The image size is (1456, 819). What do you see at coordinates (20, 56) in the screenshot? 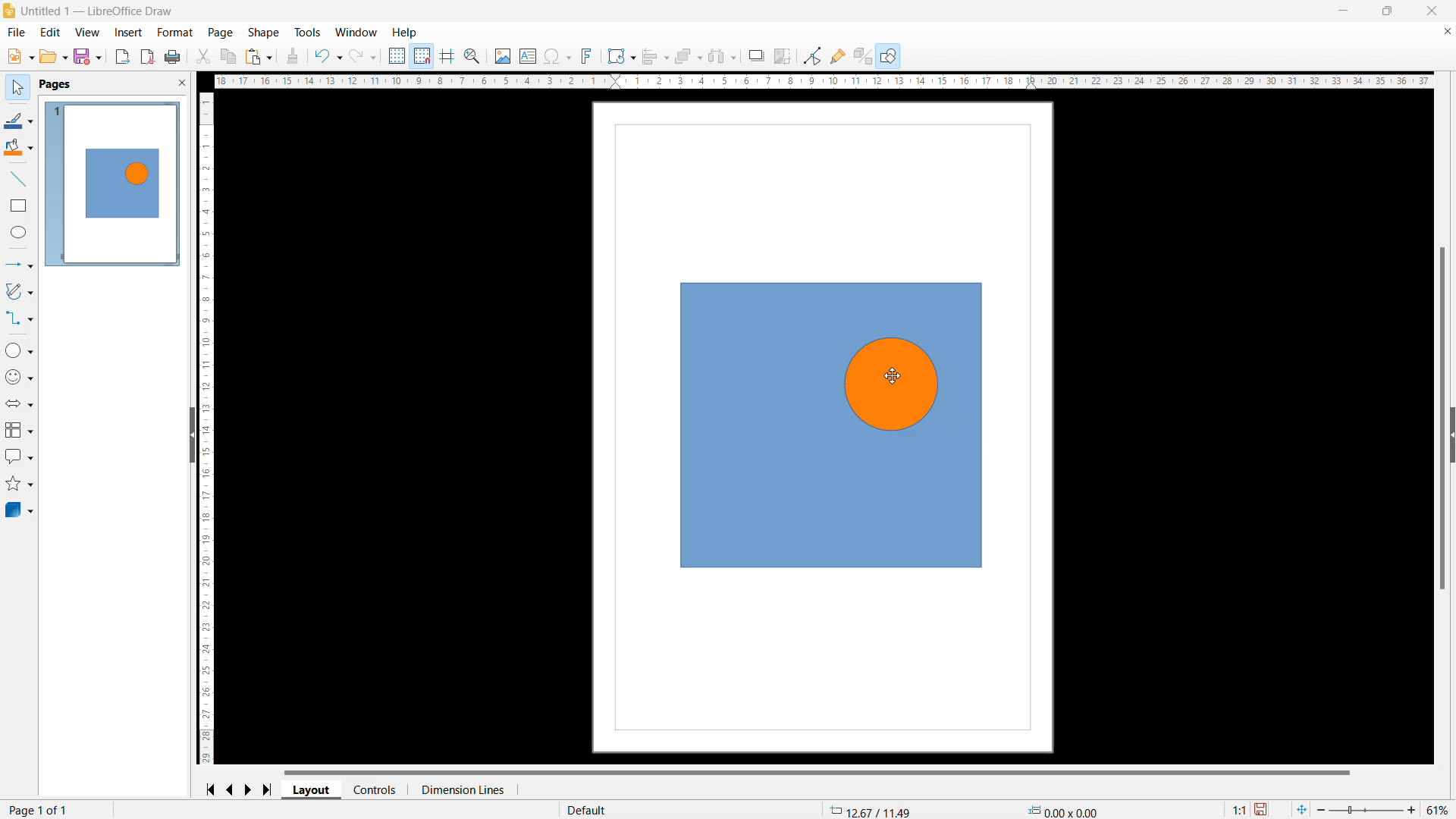
I see `open` at bounding box center [20, 56].